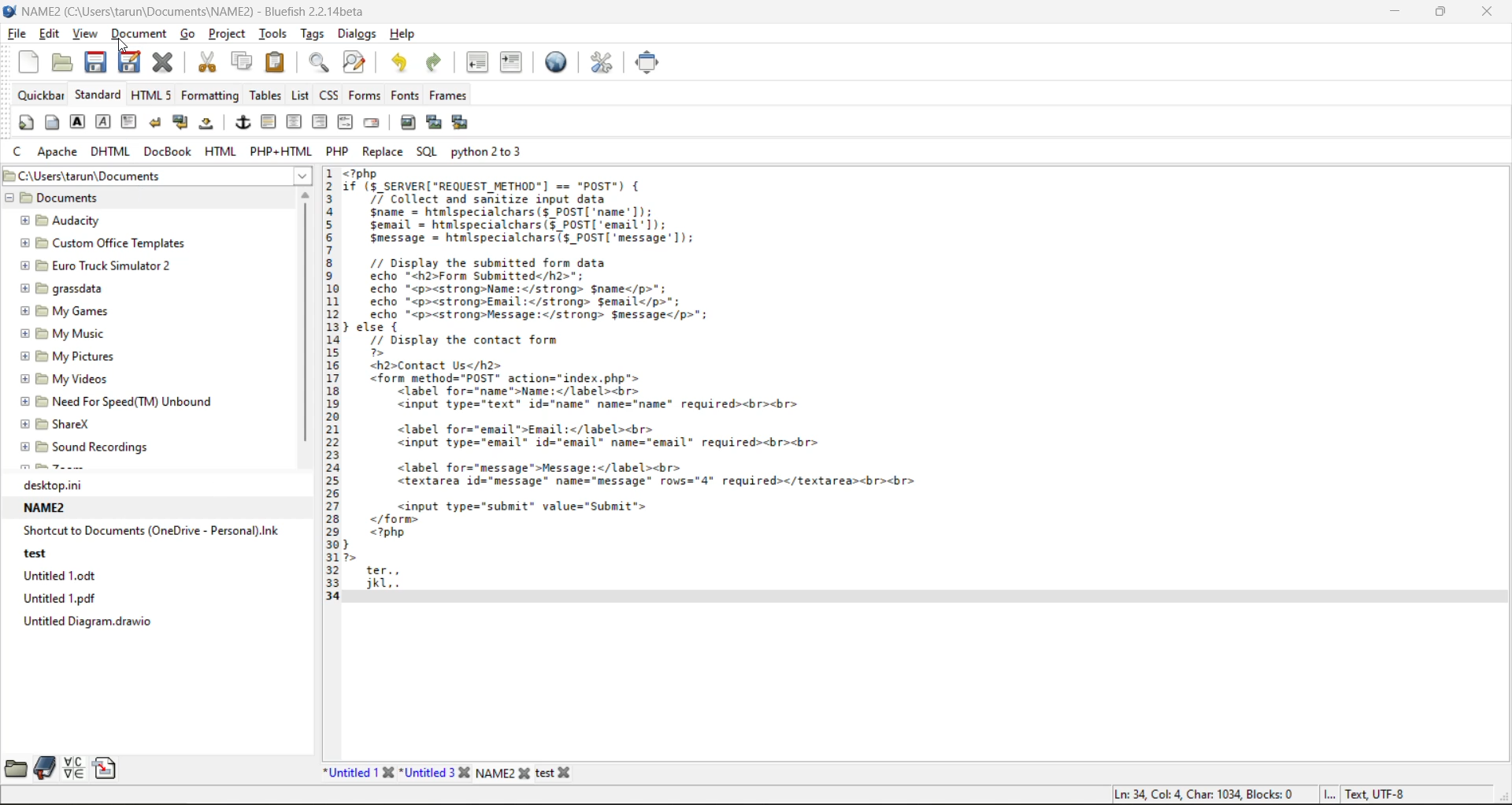  What do you see at coordinates (432, 64) in the screenshot?
I see `redo` at bounding box center [432, 64].